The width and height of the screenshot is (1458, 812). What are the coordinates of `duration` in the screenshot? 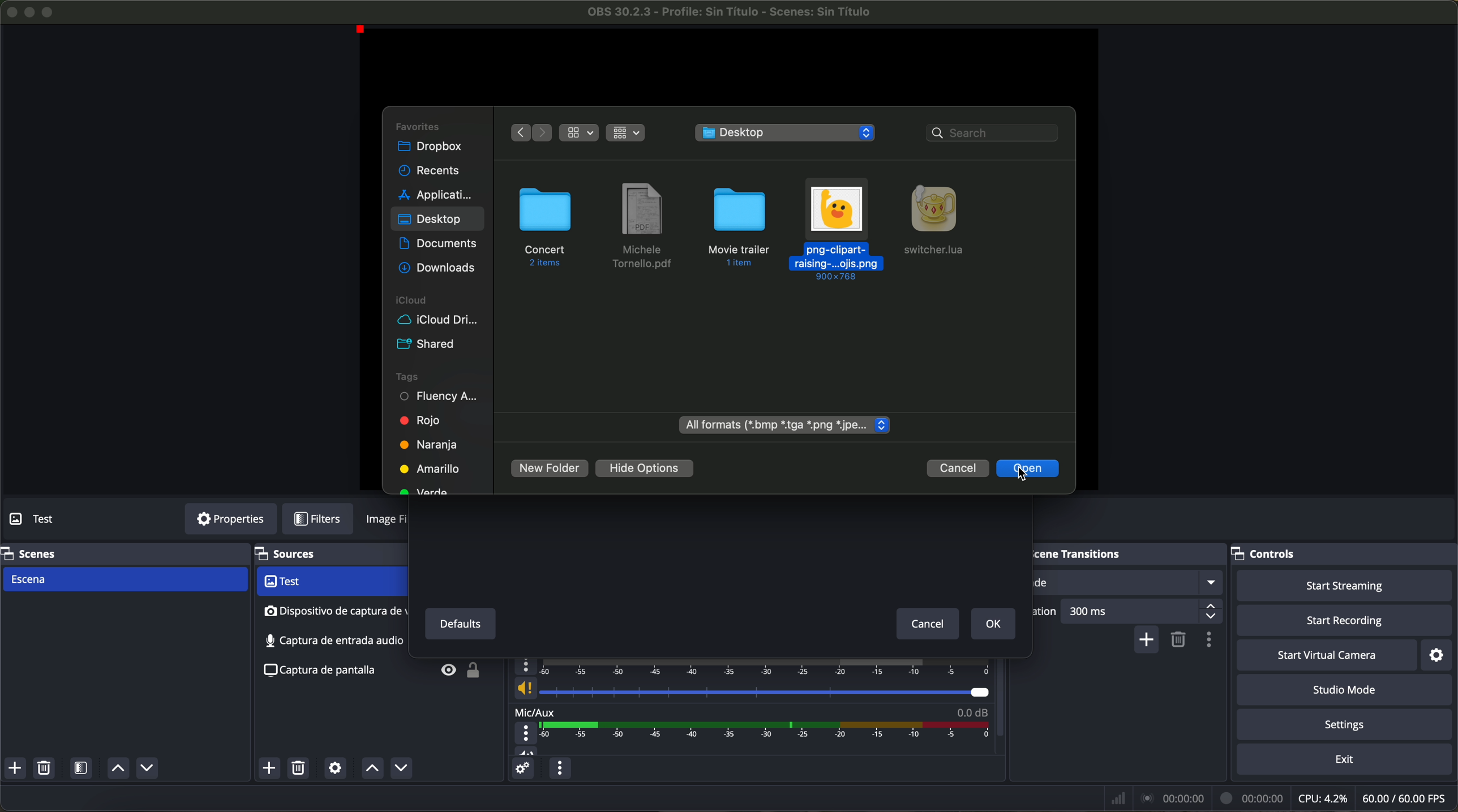 It's located at (1047, 613).